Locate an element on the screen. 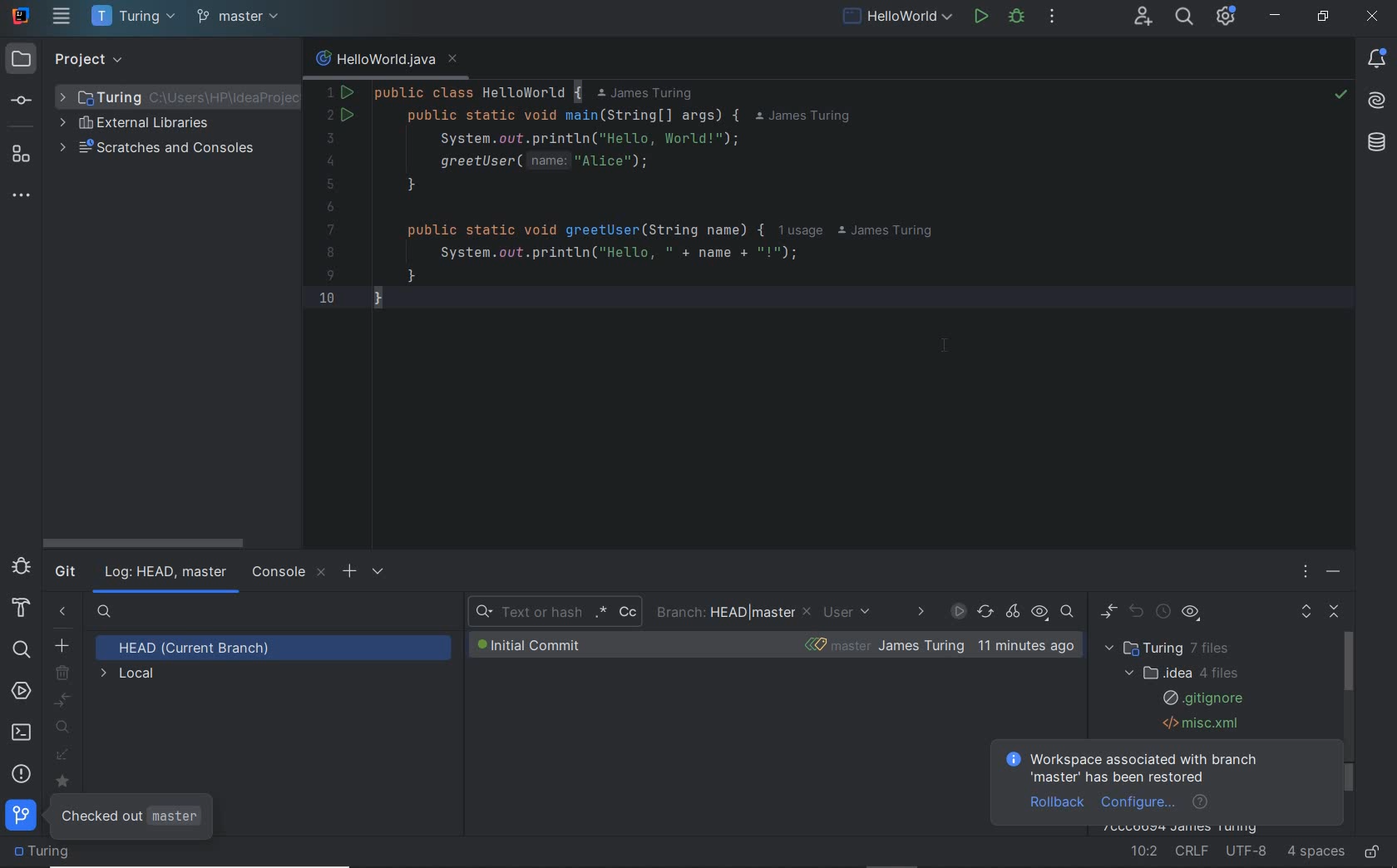  log is located at coordinates (165, 573).